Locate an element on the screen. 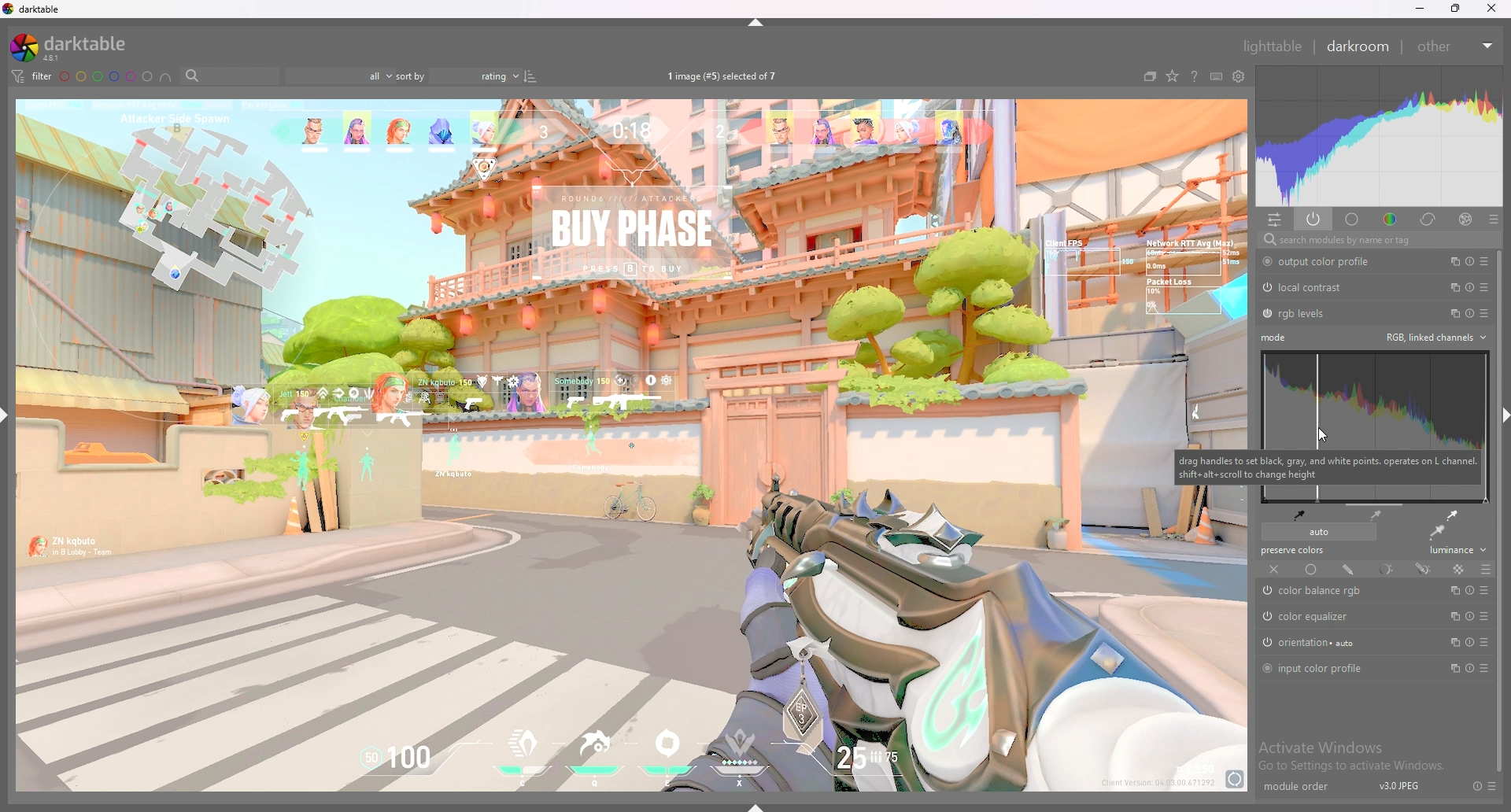  drawn mask is located at coordinates (1349, 569).